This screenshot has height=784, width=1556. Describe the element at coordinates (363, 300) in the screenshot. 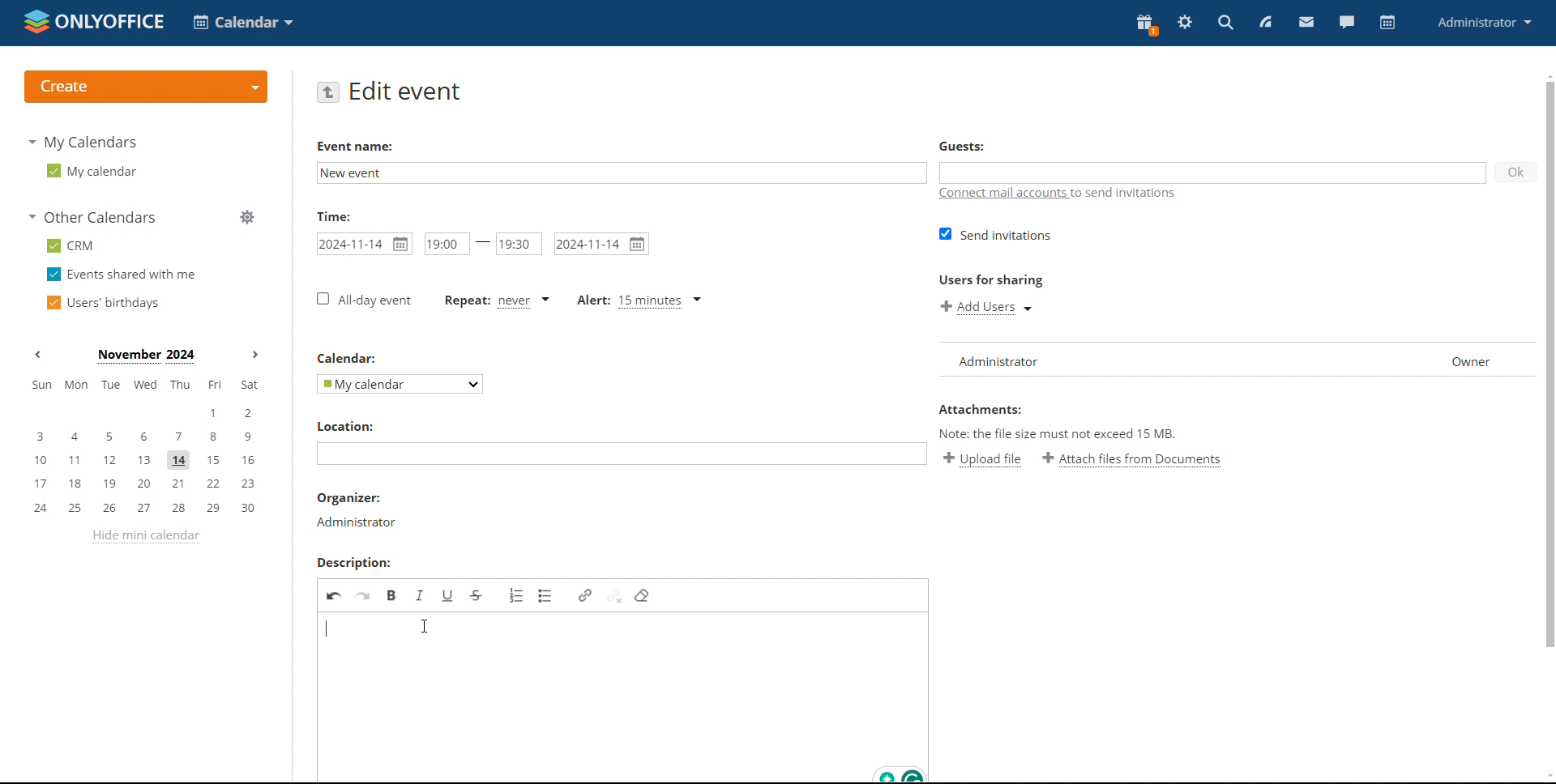

I see `all-day event checkbox` at that location.